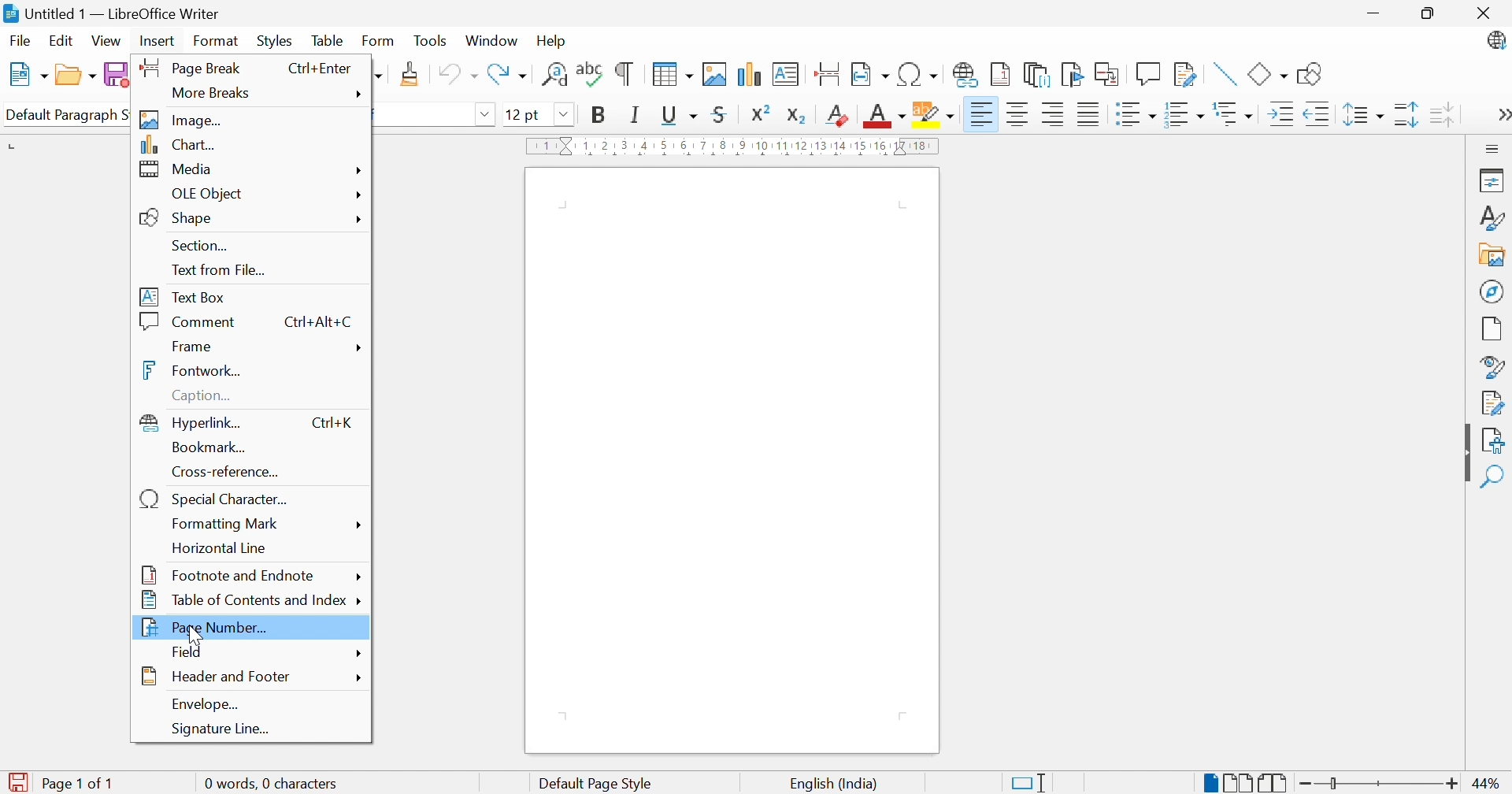 The width and height of the screenshot is (1512, 794). Describe the element at coordinates (1018, 115) in the screenshot. I see `Align center` at that location.